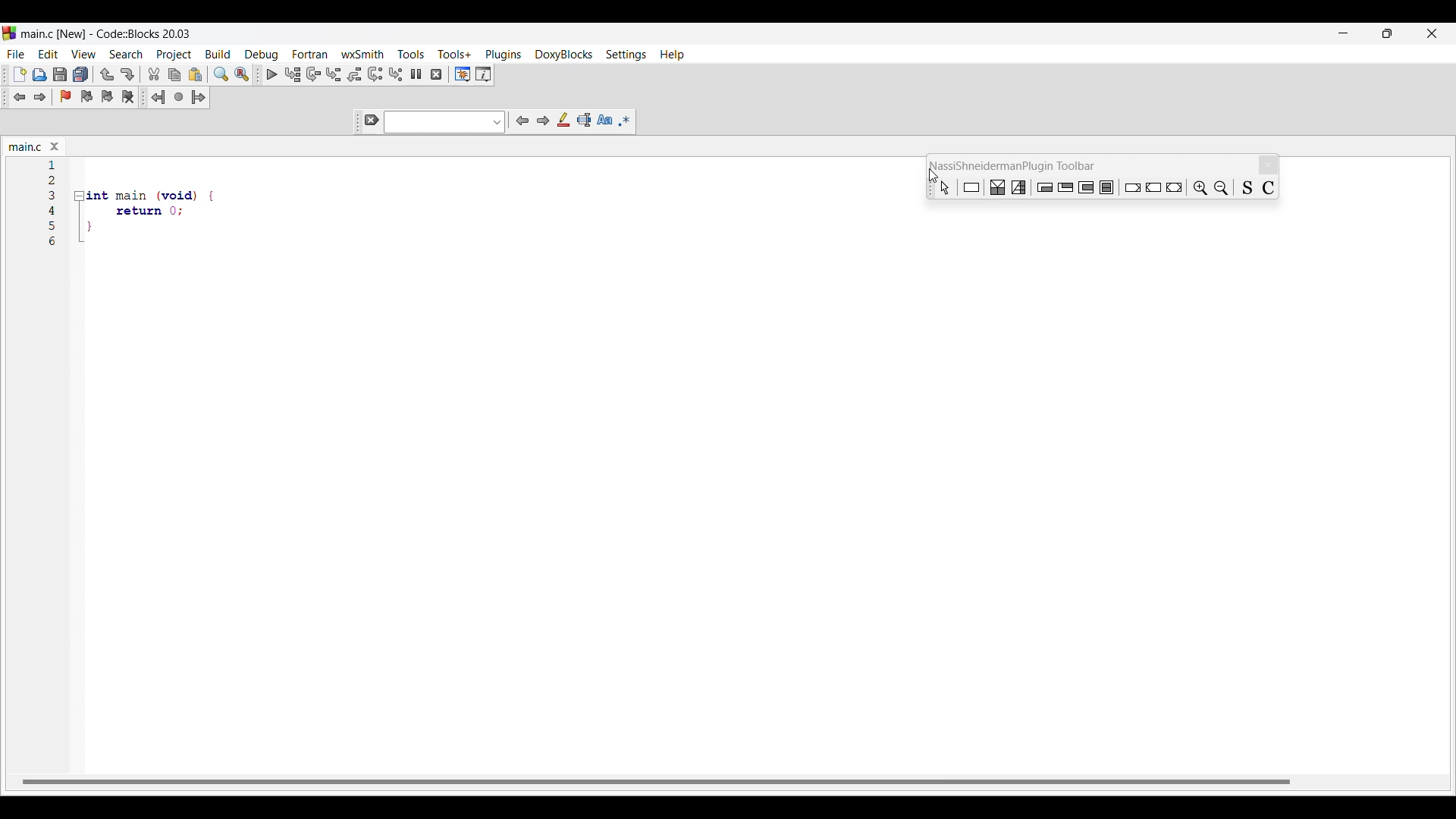 Image resolution: width=1456 pixels, height=819 pixels. I want to click on Replace, so click(242, 74).